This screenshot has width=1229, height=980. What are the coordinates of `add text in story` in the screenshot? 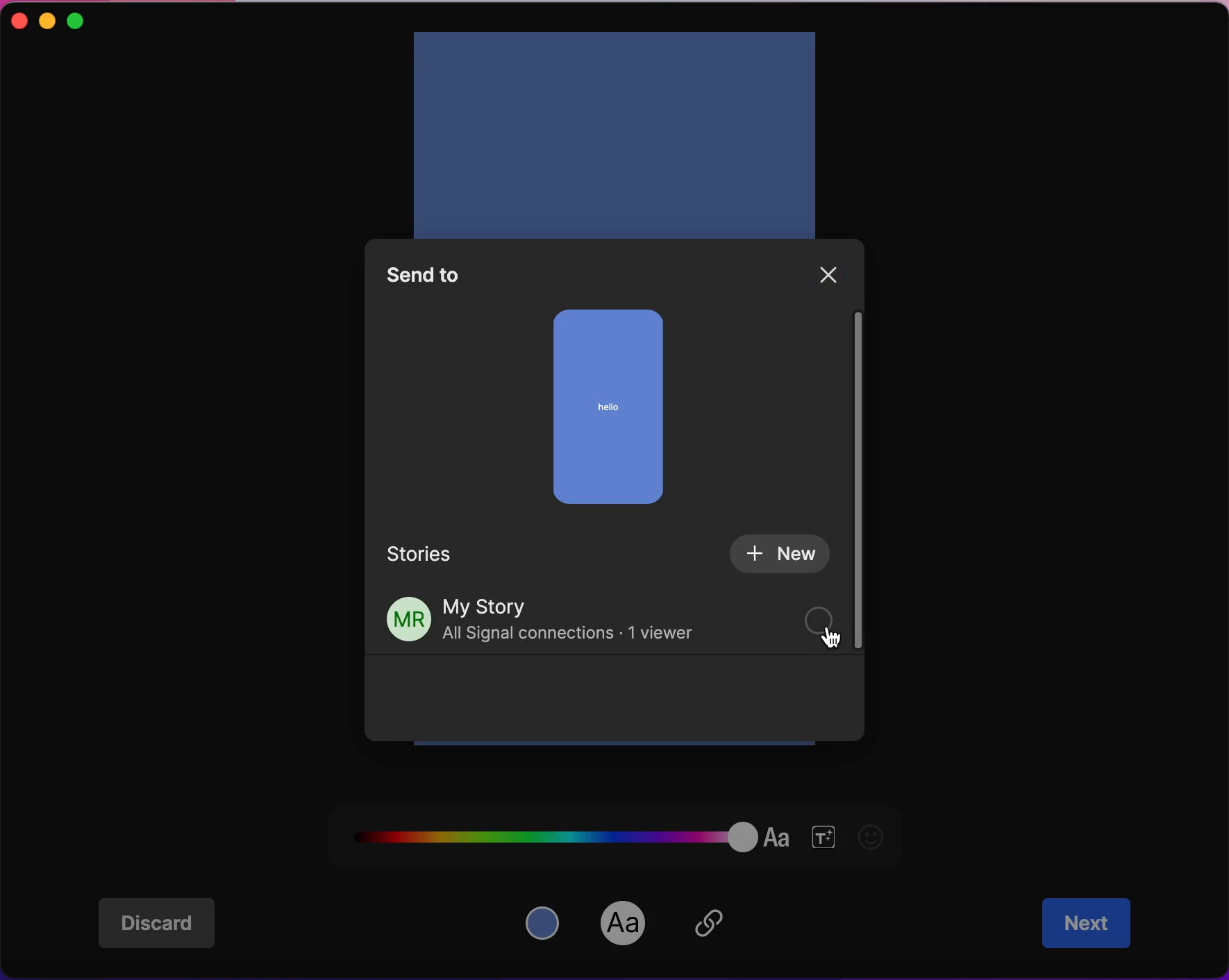 It's located at (619, 126).